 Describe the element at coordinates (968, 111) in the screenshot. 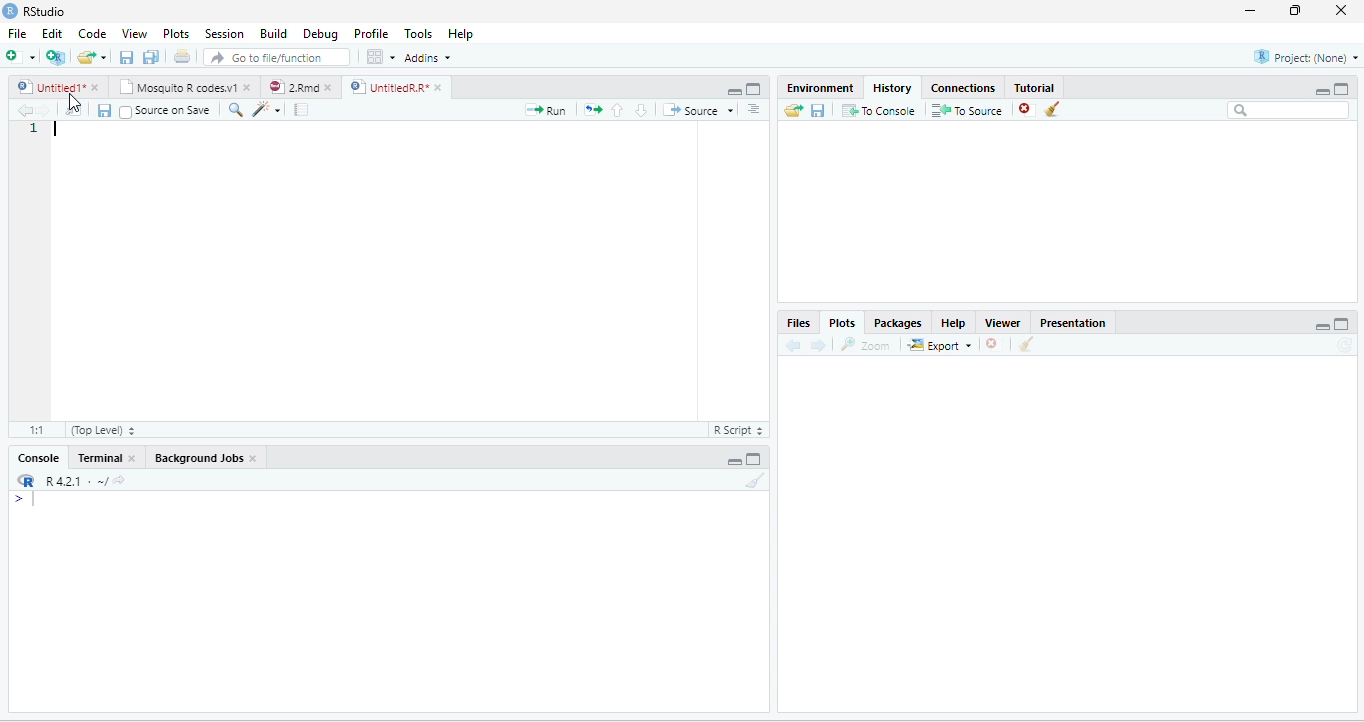

I see `To Source` at that location.